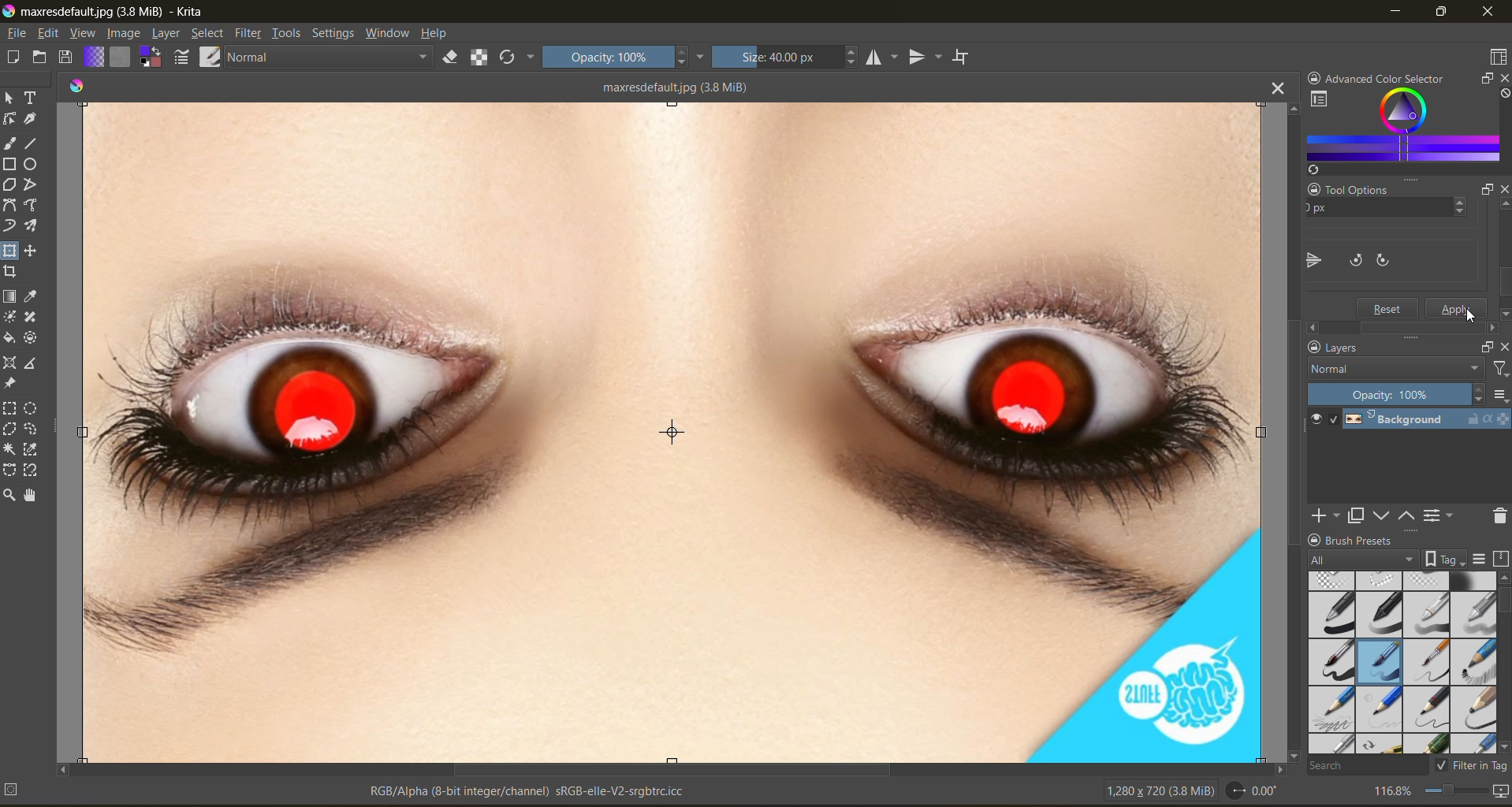 This screenshot has width=1512, height=807. What do you see at coordinates (1503, 613) in the screenshot?
I see `vertical scroll bar` at bounding box center [1503, 613].